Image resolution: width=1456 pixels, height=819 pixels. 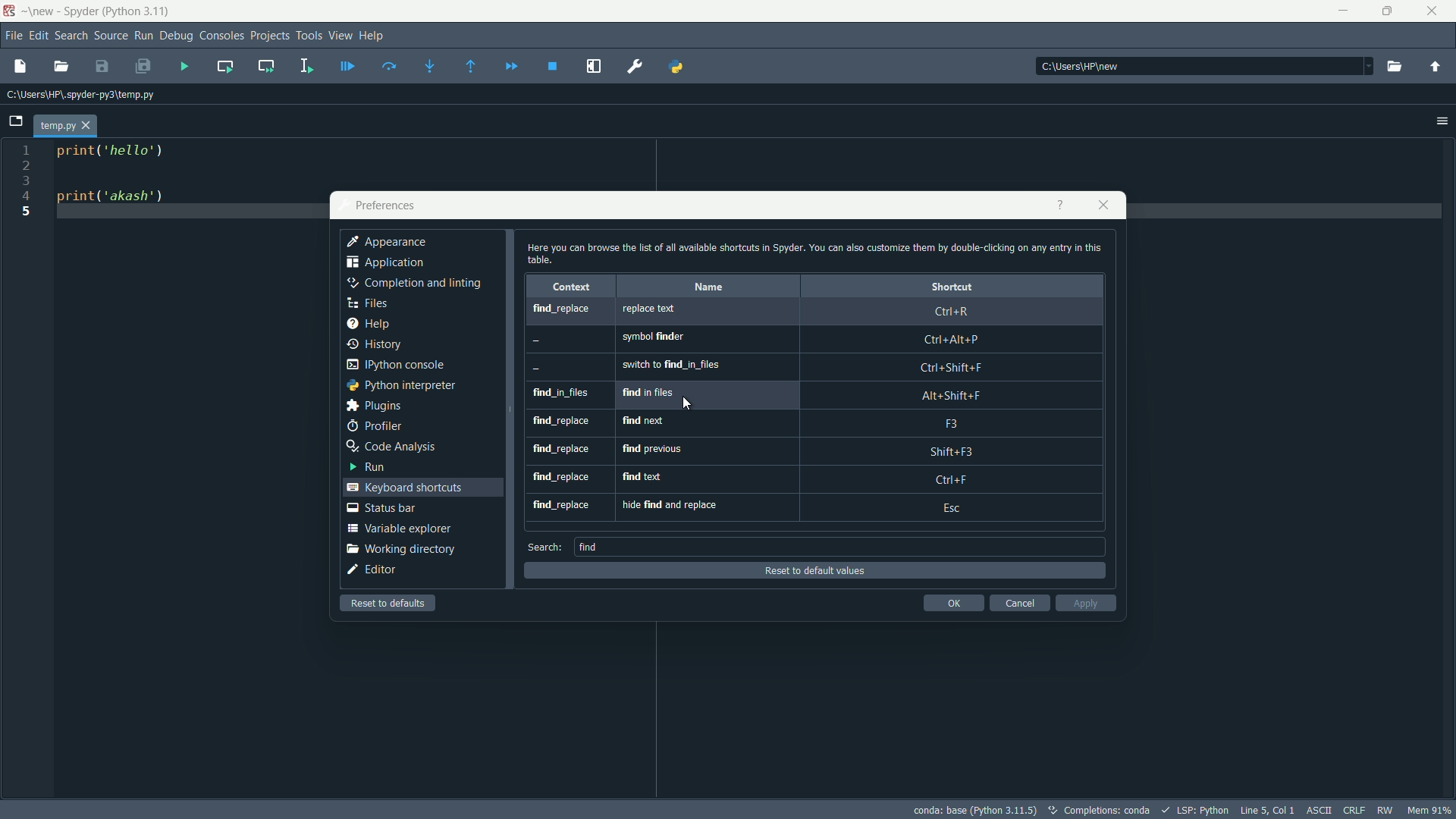 I want to click on CRLF, so click(x=1356, y=809).